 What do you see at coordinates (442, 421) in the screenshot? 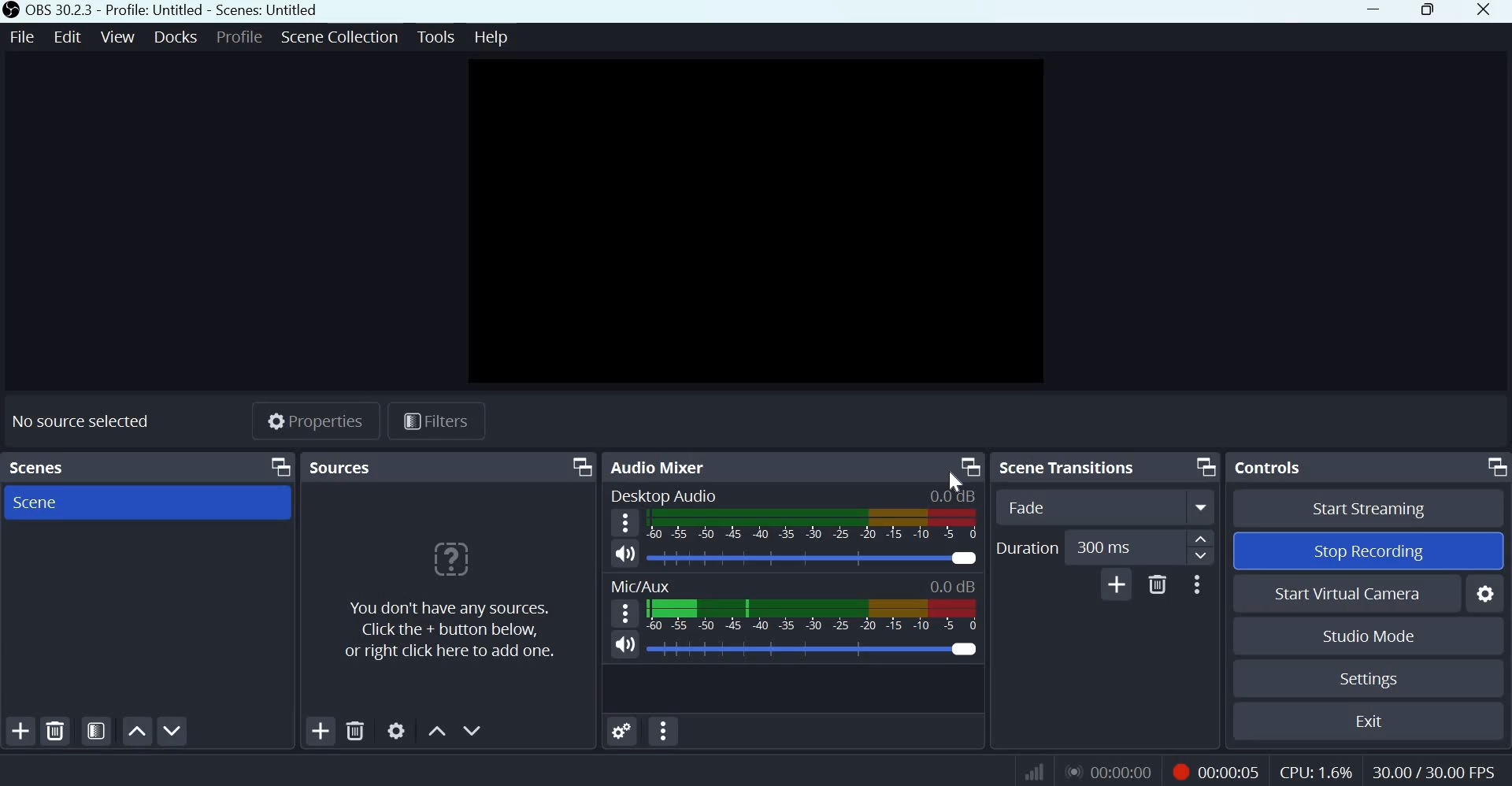
I see `Filters` at bounding box center [442, 421].